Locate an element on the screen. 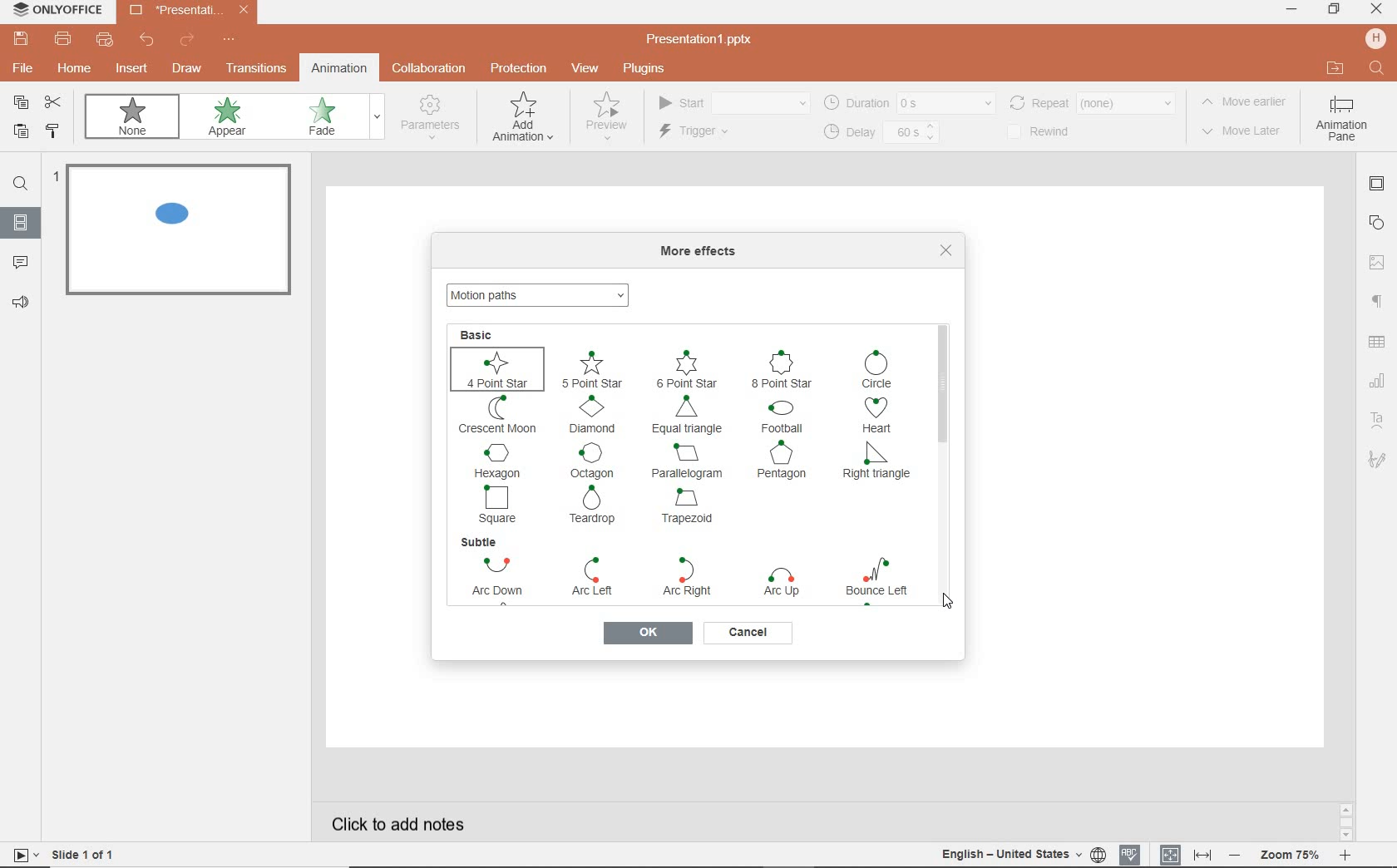 The image size is (1397, 868). BASIC is located at coordinates (479, 333).